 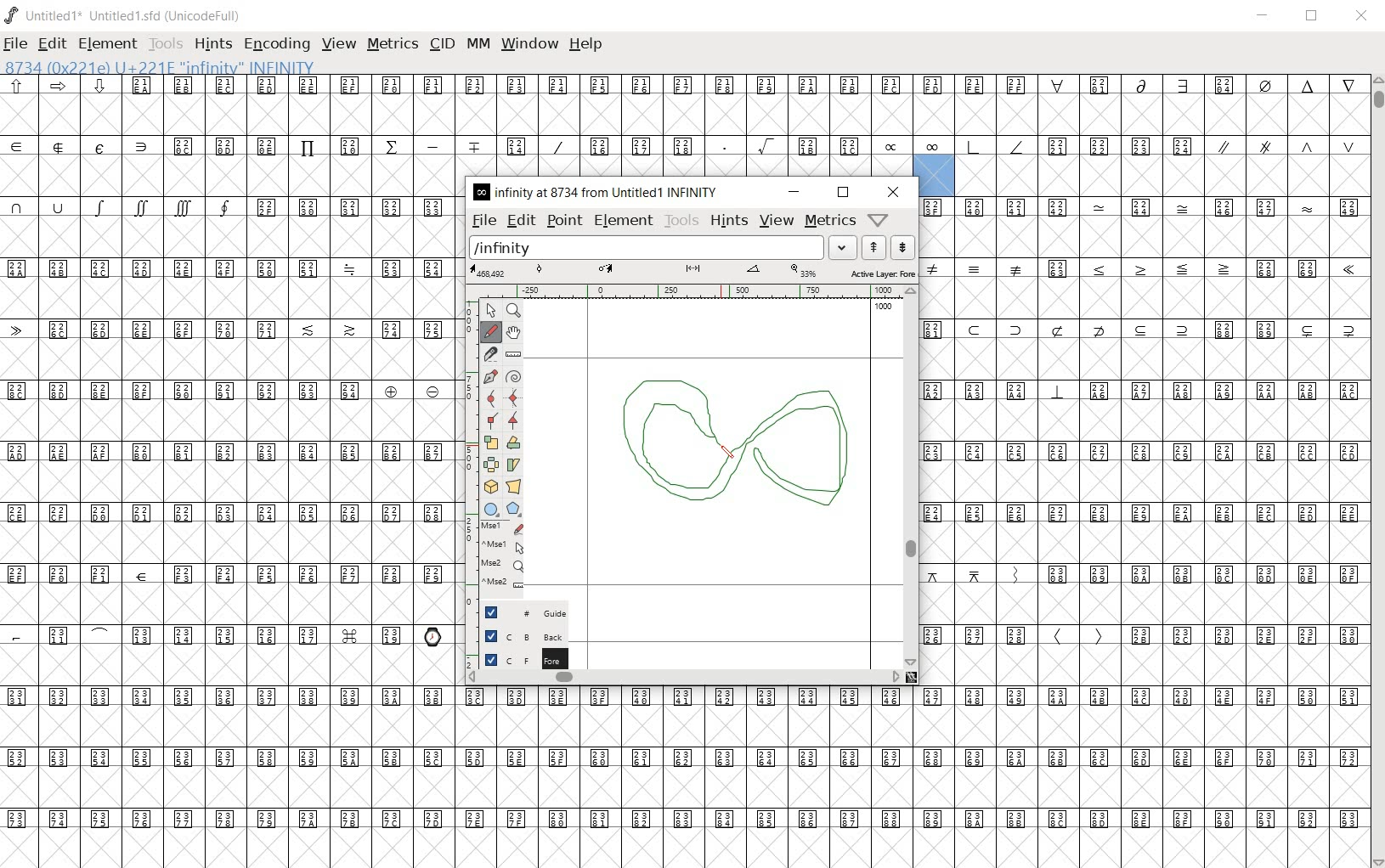 I want to click on rotate the selection in 3D and project back to plane, so click(x=489, y=486).